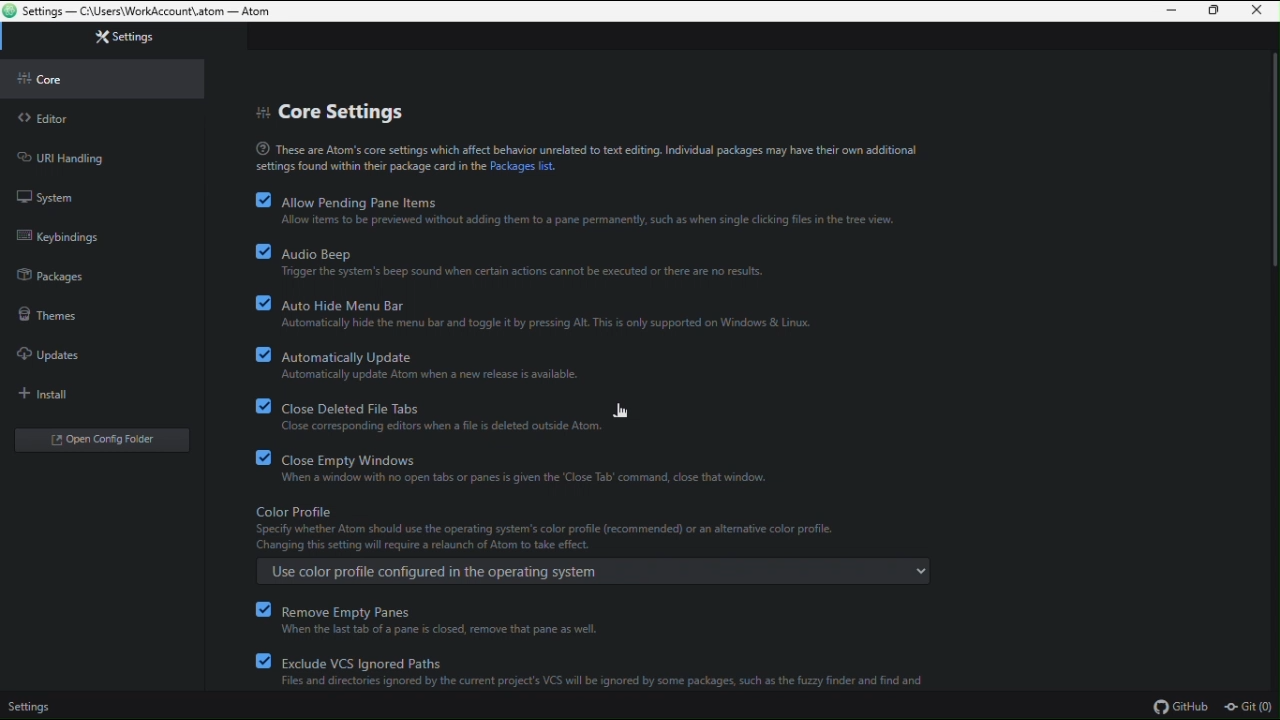  What do you see at coordinates (102, 81) in the screenshot?
I see `core` at bounding box center [102, 81].